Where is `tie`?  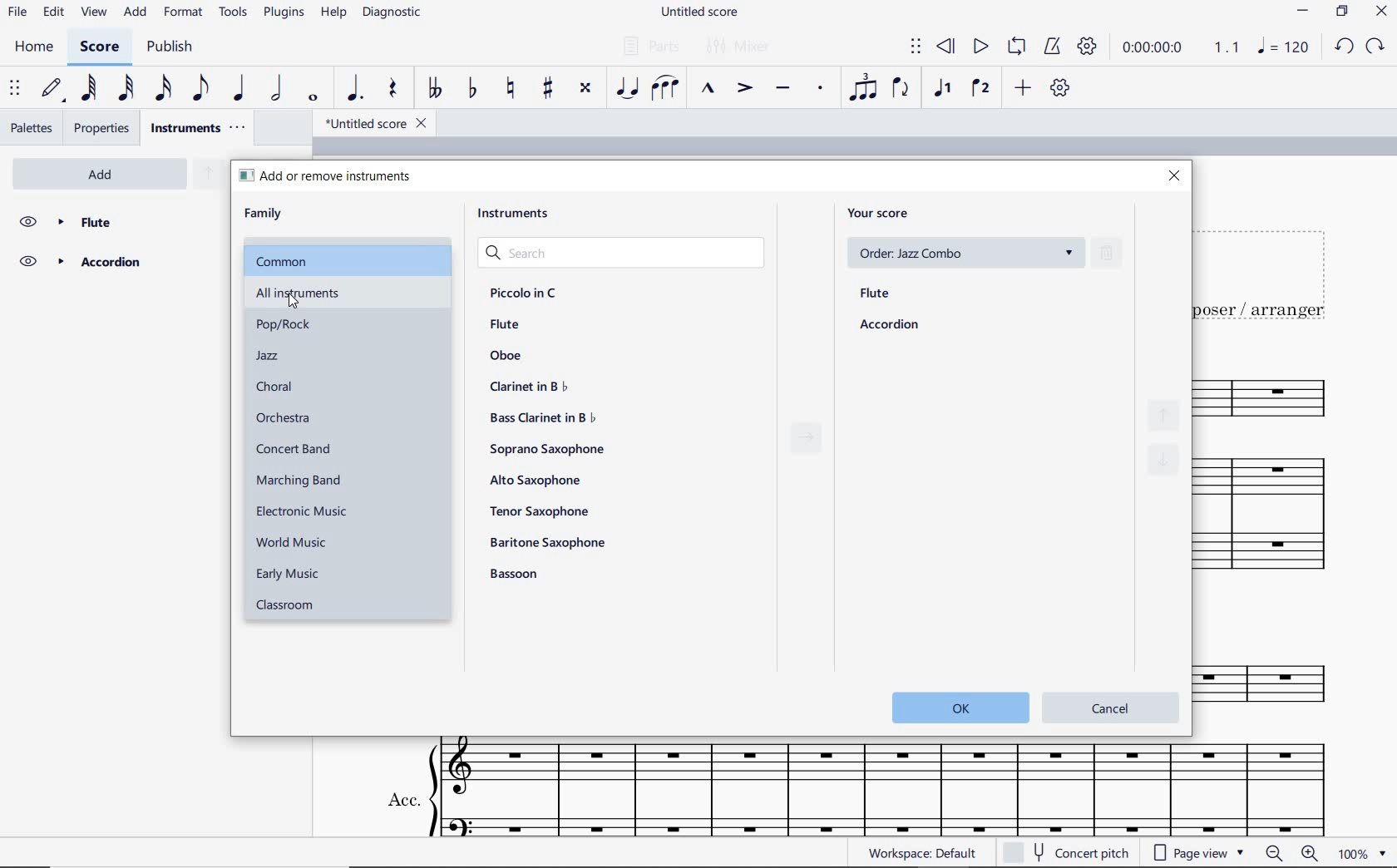 tie is located at coordinates (629, 88).